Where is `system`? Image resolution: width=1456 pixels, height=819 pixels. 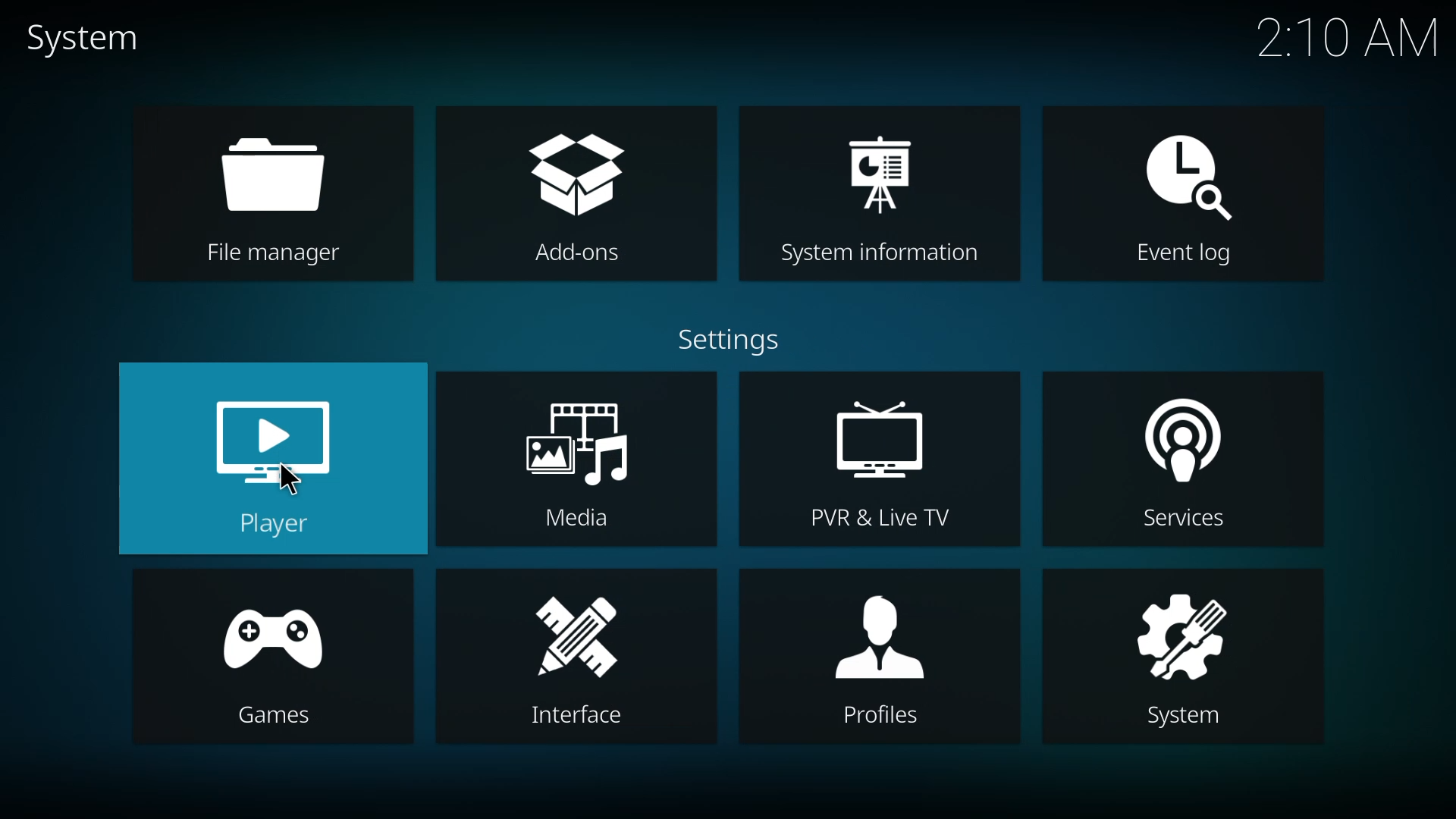 system is located at coordinates (89, 37).